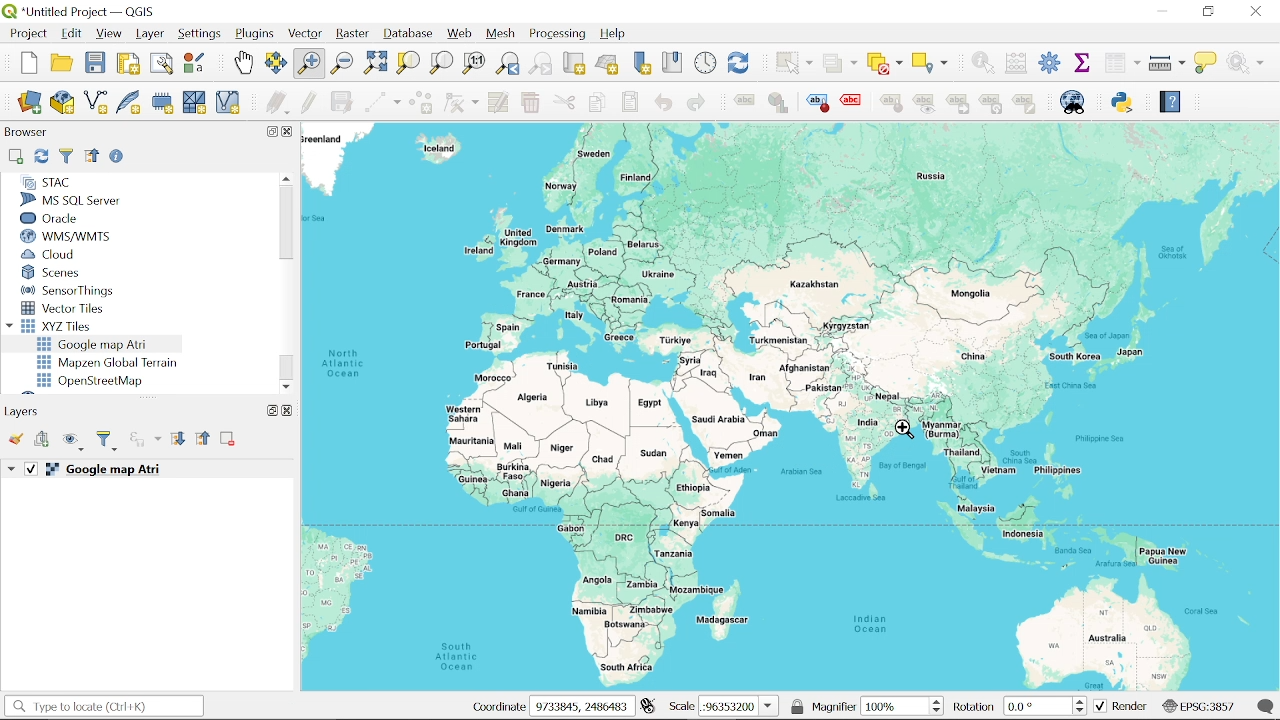 Image resolution: width=1280 pixels, height=720 pixels. Describe the element at coordinates (86, 12) in the screenshot. I see `Current window` at that location.